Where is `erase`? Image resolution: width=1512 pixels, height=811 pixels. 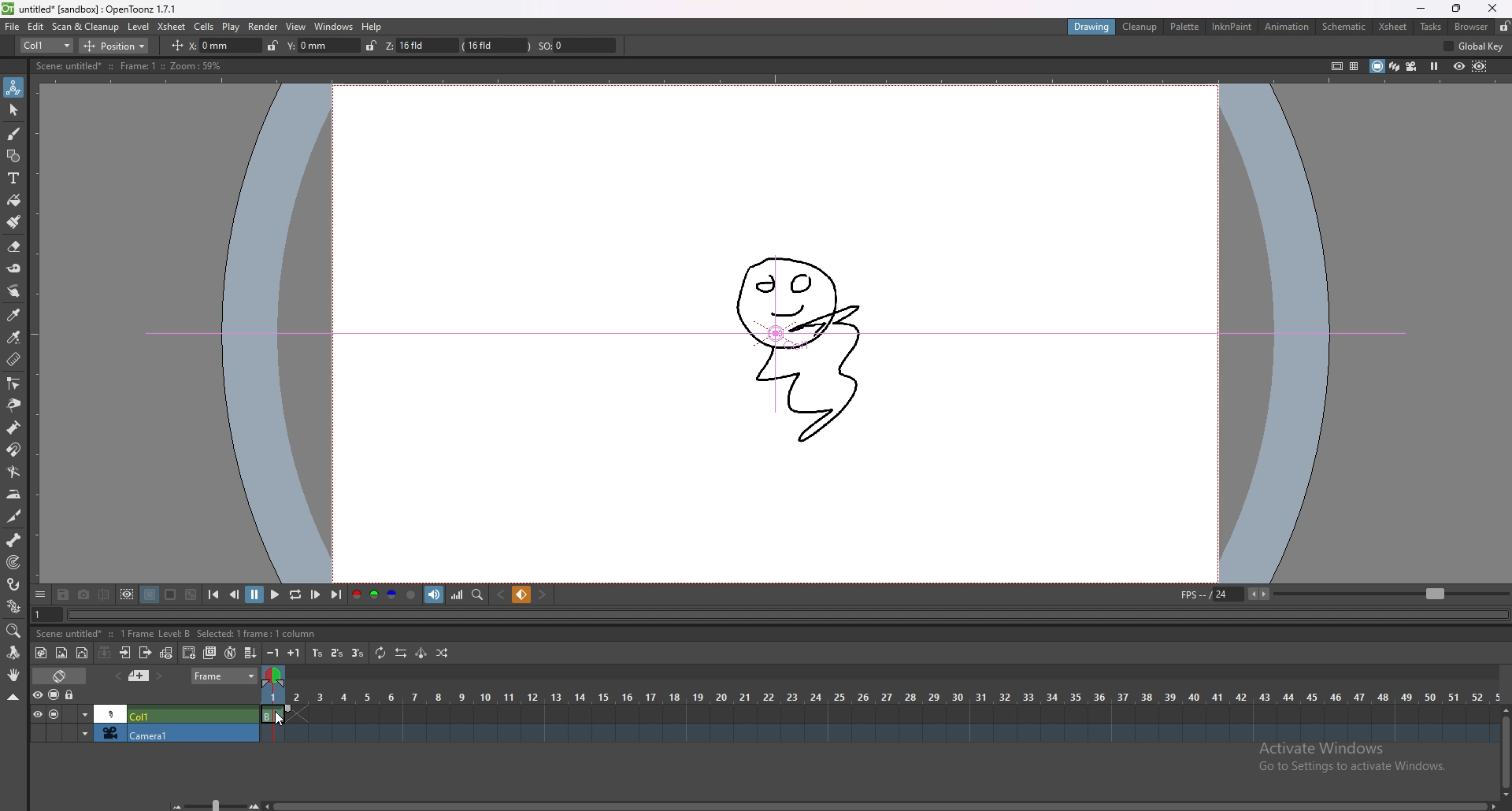 erase is located at coordinates (14, 247).